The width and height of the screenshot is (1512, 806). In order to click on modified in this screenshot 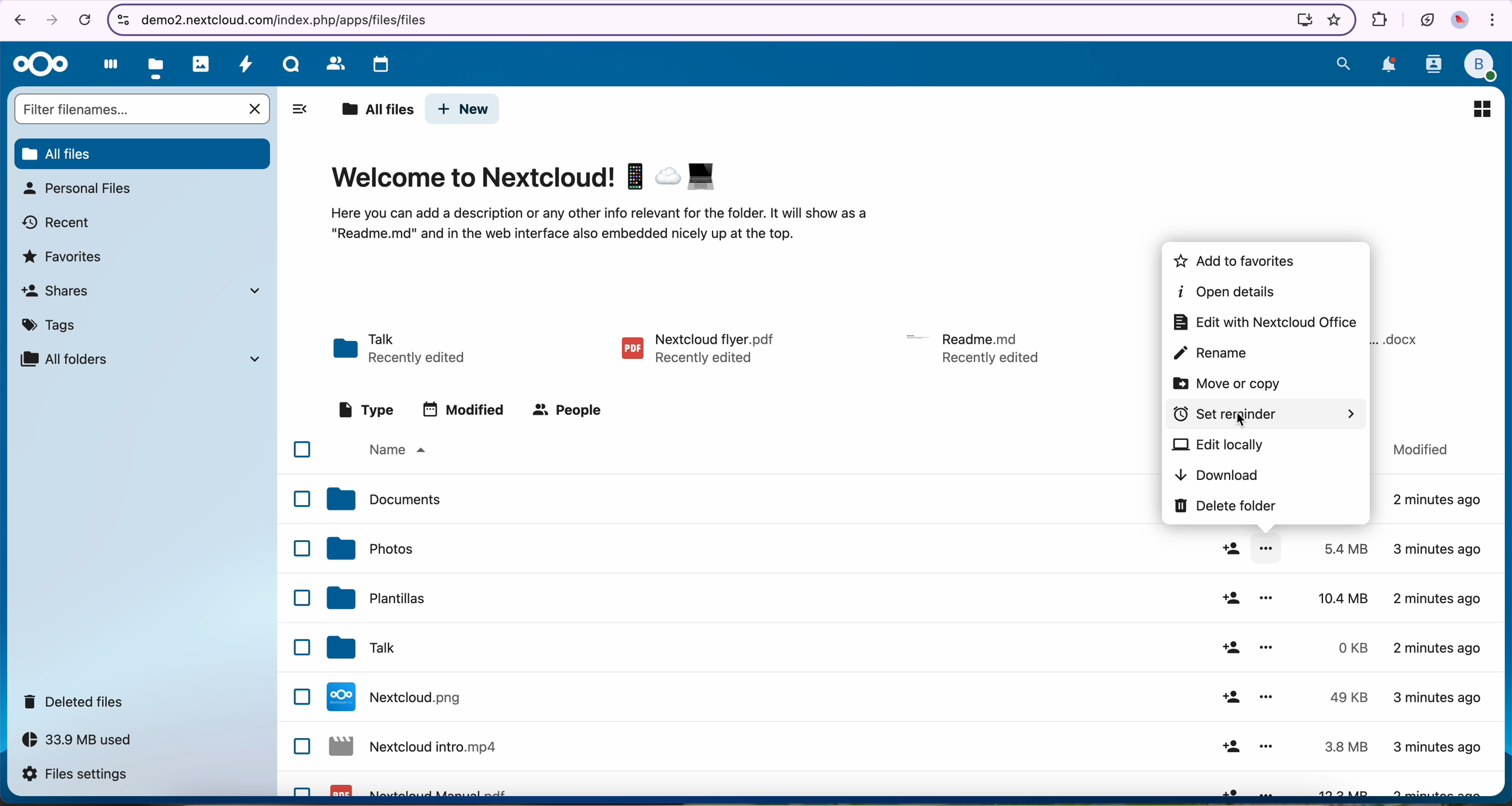, I will do `click(1422, 449)`.